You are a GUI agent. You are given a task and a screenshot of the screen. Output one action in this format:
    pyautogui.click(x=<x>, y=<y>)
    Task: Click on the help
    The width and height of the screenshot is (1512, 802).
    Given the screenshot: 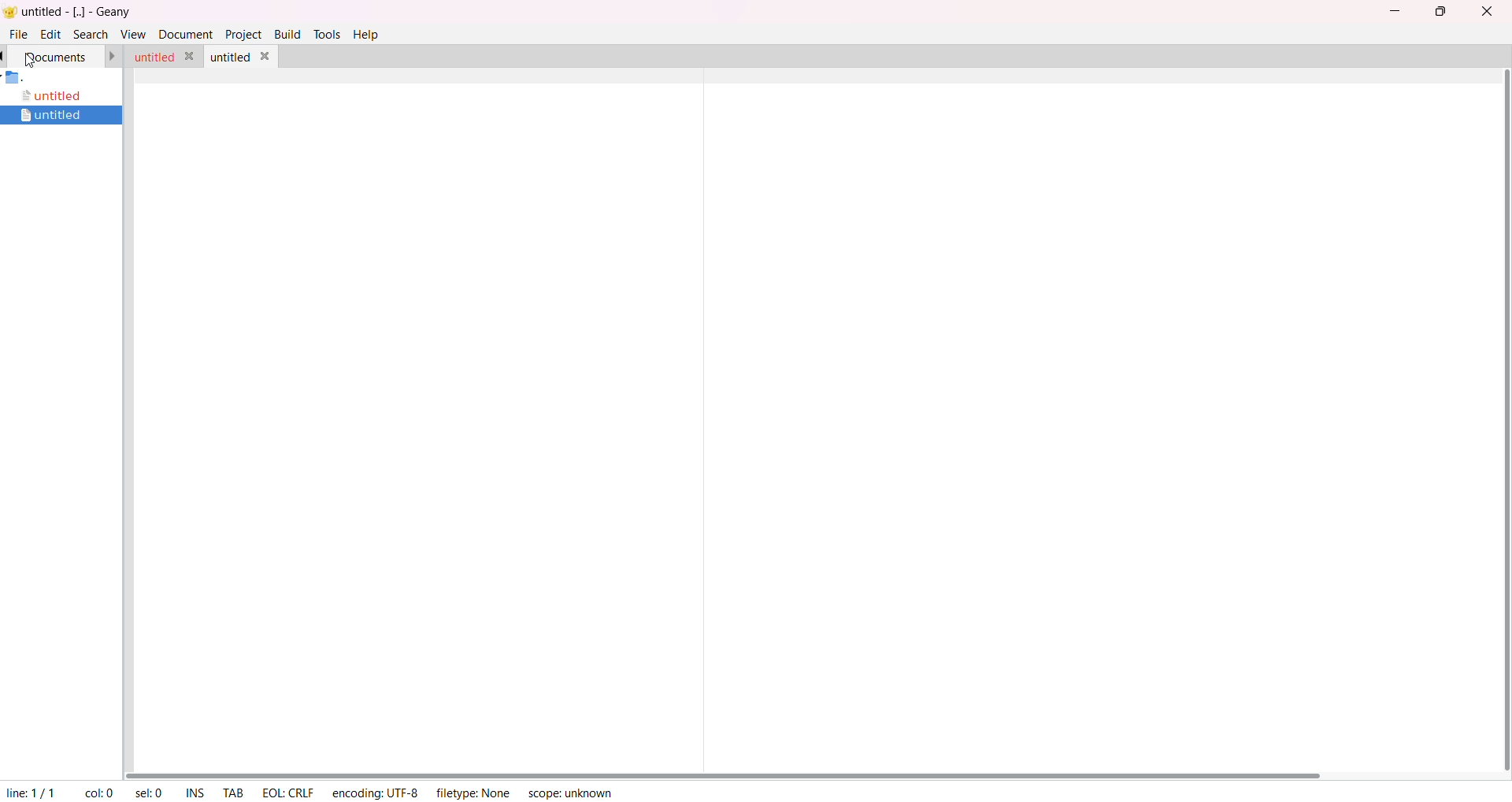 What is the action you would take?
    pyautogui.click(x=367, y=35)
    